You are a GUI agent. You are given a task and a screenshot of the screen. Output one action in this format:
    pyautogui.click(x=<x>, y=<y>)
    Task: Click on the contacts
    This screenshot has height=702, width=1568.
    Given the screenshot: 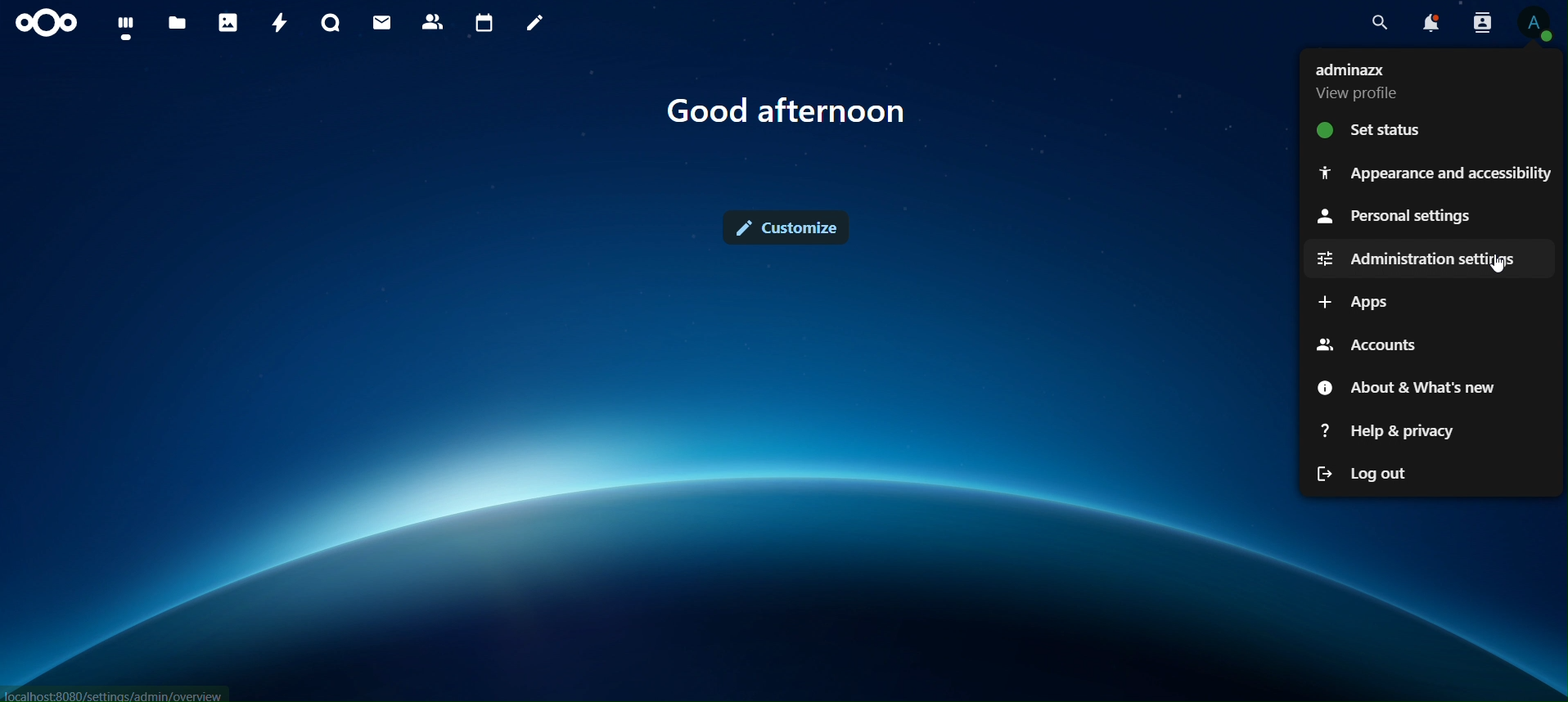 What is the action you would take?
    pyautogui.click(x=436, y=23)
    